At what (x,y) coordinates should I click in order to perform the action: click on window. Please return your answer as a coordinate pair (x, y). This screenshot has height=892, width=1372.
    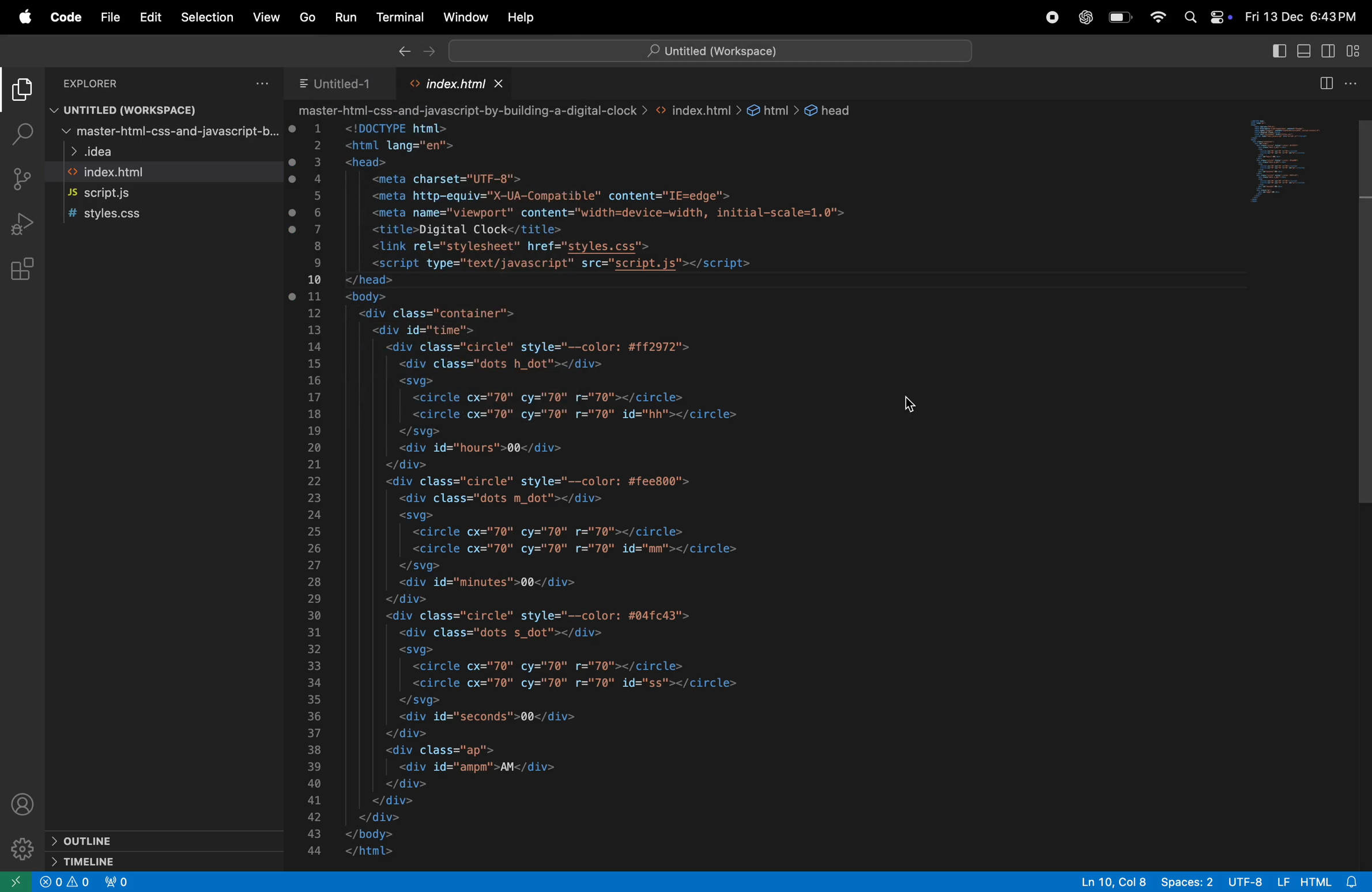
    Looking at the image, I should click on (466, 17).